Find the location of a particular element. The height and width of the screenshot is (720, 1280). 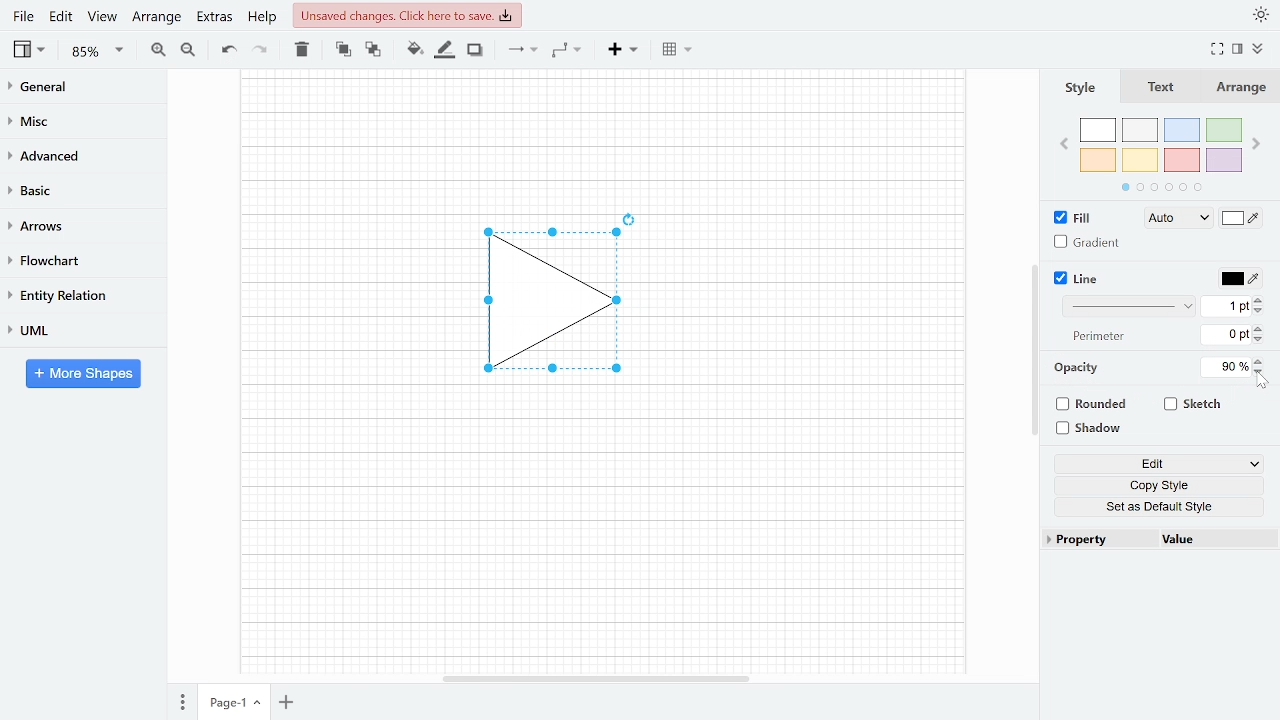

Format (Ctrl+Shift+P) is located at coordinates (1238, 50).